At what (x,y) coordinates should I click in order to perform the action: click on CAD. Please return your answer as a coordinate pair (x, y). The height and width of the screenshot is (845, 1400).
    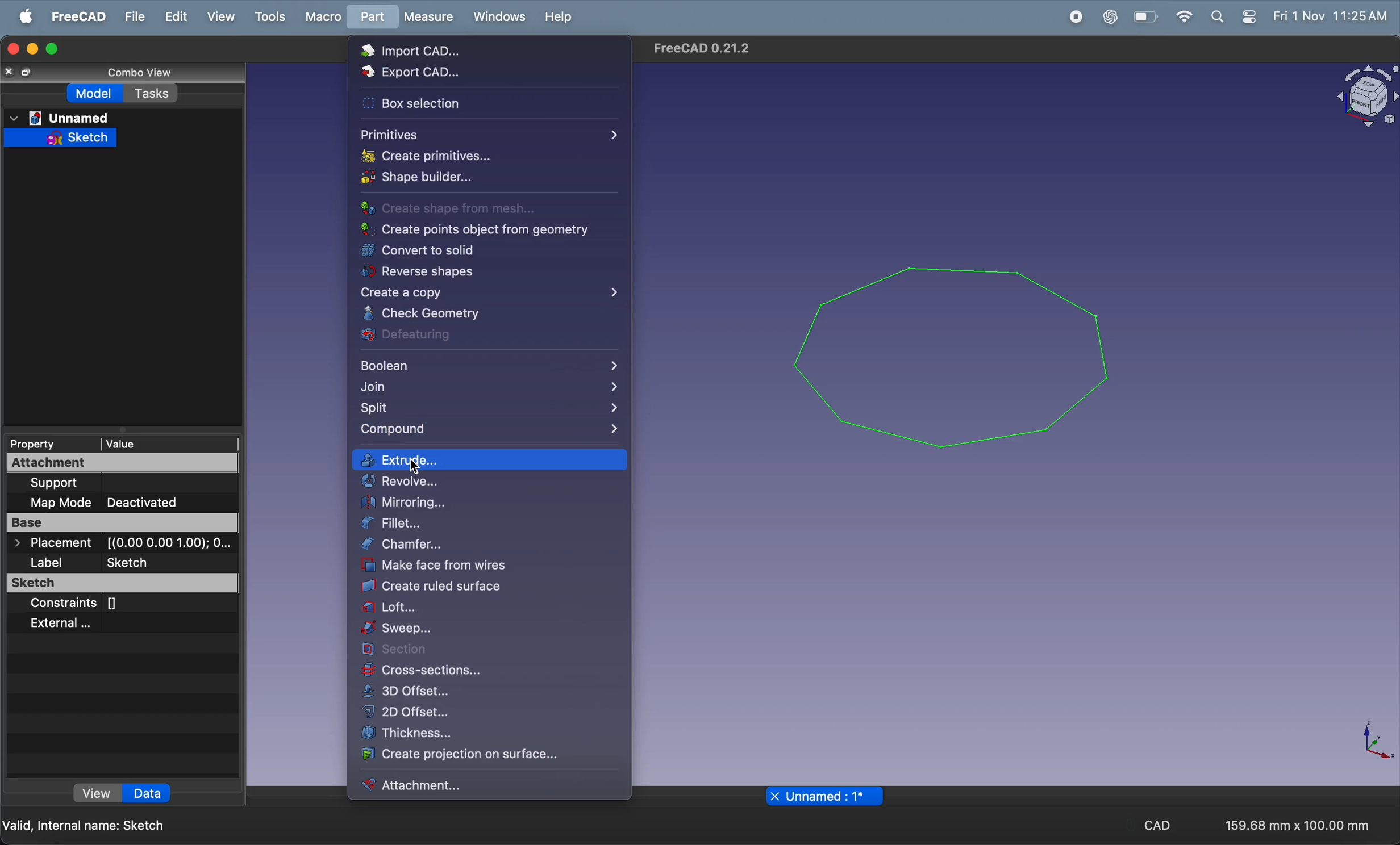
    Looking at the image, I should click on (1164, 825).